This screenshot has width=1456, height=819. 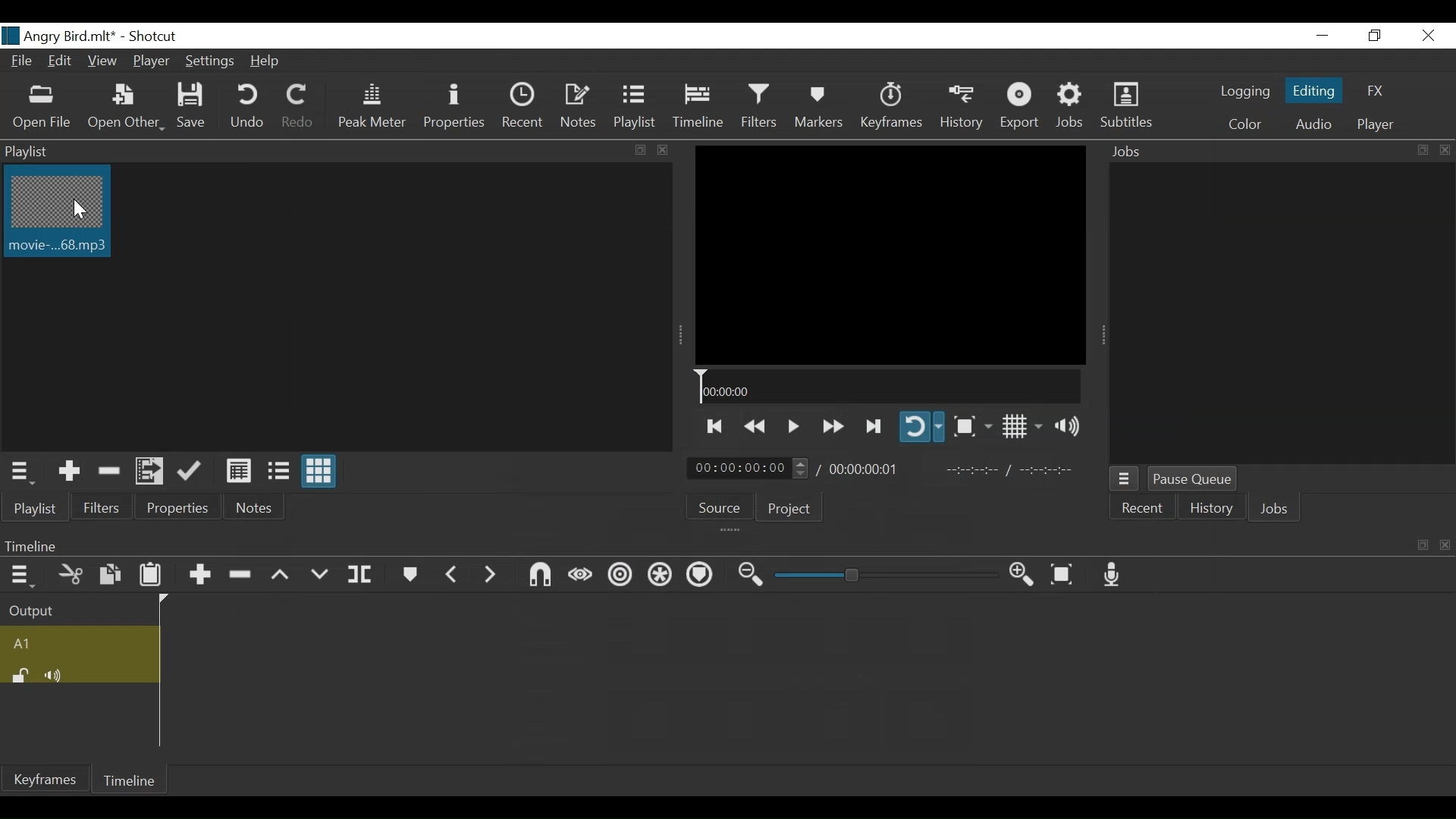 I want to click on Mute, so click(x=56, y=674).